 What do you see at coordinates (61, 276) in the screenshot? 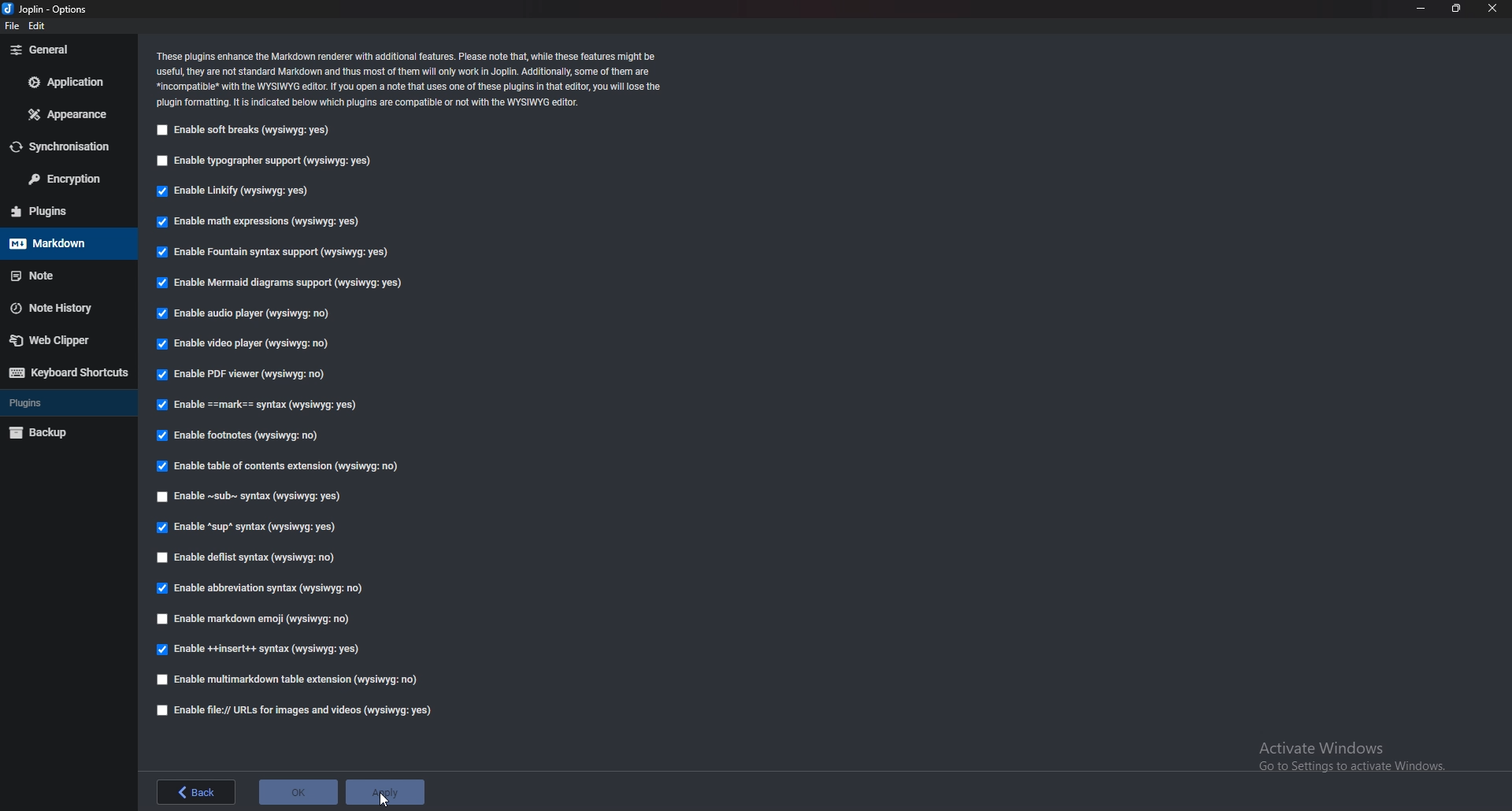
I see `note` at bounding box center [61, 276].